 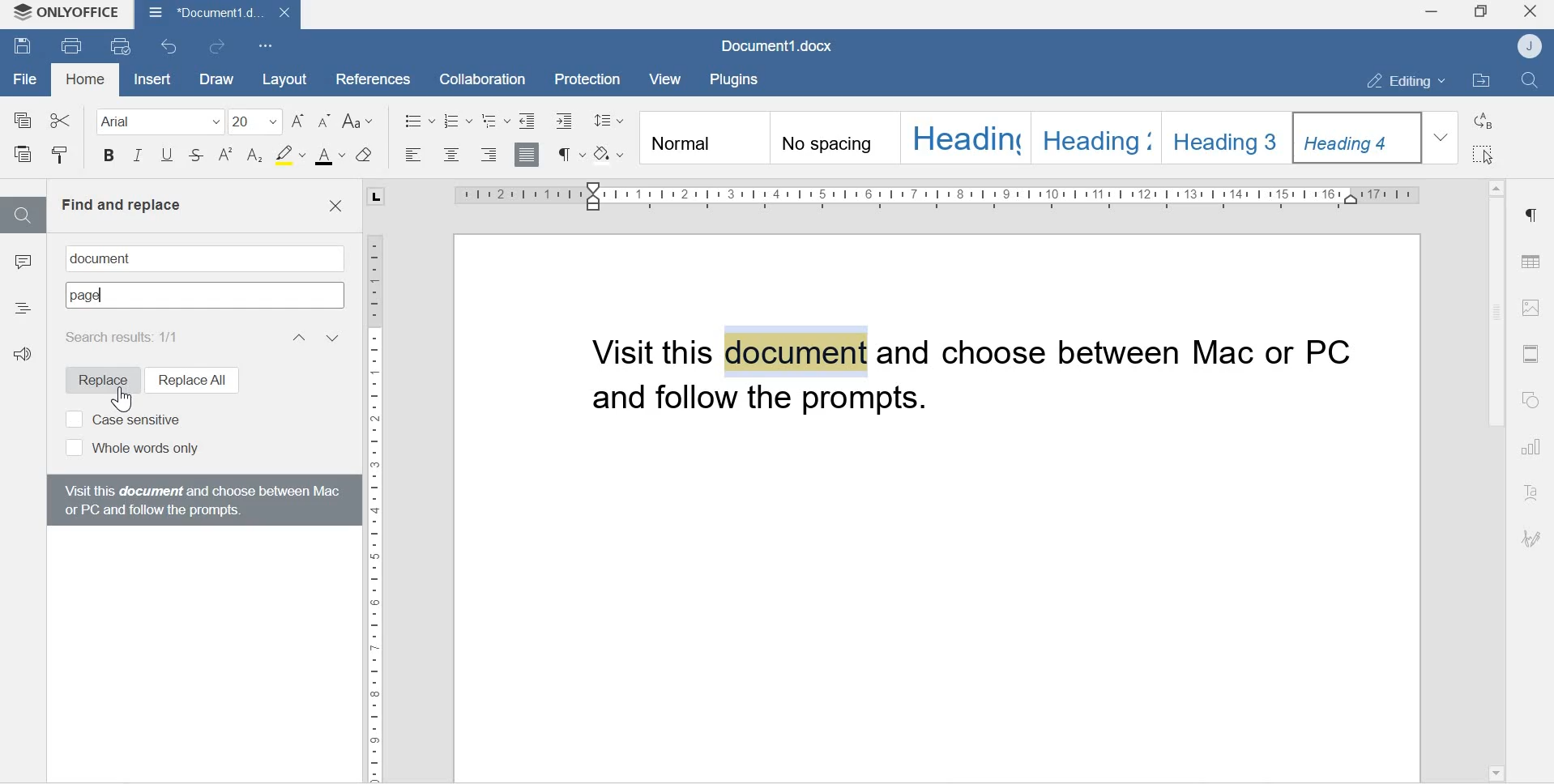 I want to click on Heading 2, so click(x=1098, y=136).